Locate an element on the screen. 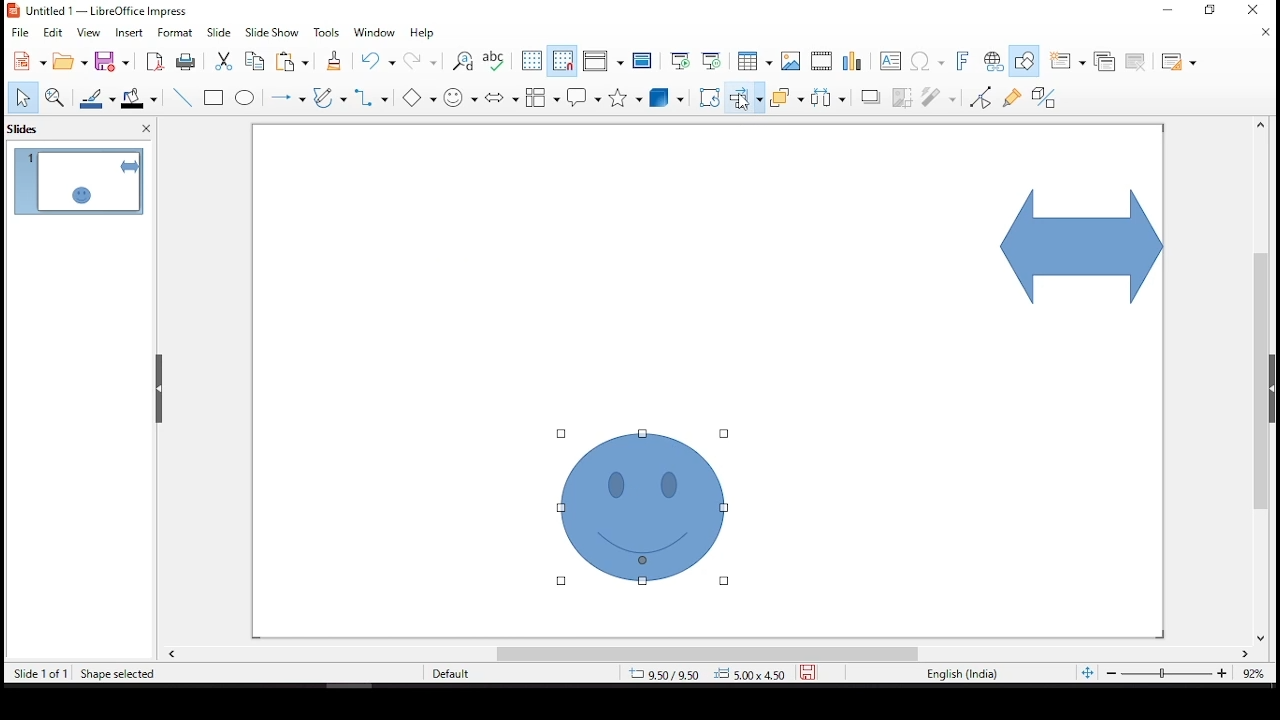  cut is located at coordinates (220, 62).